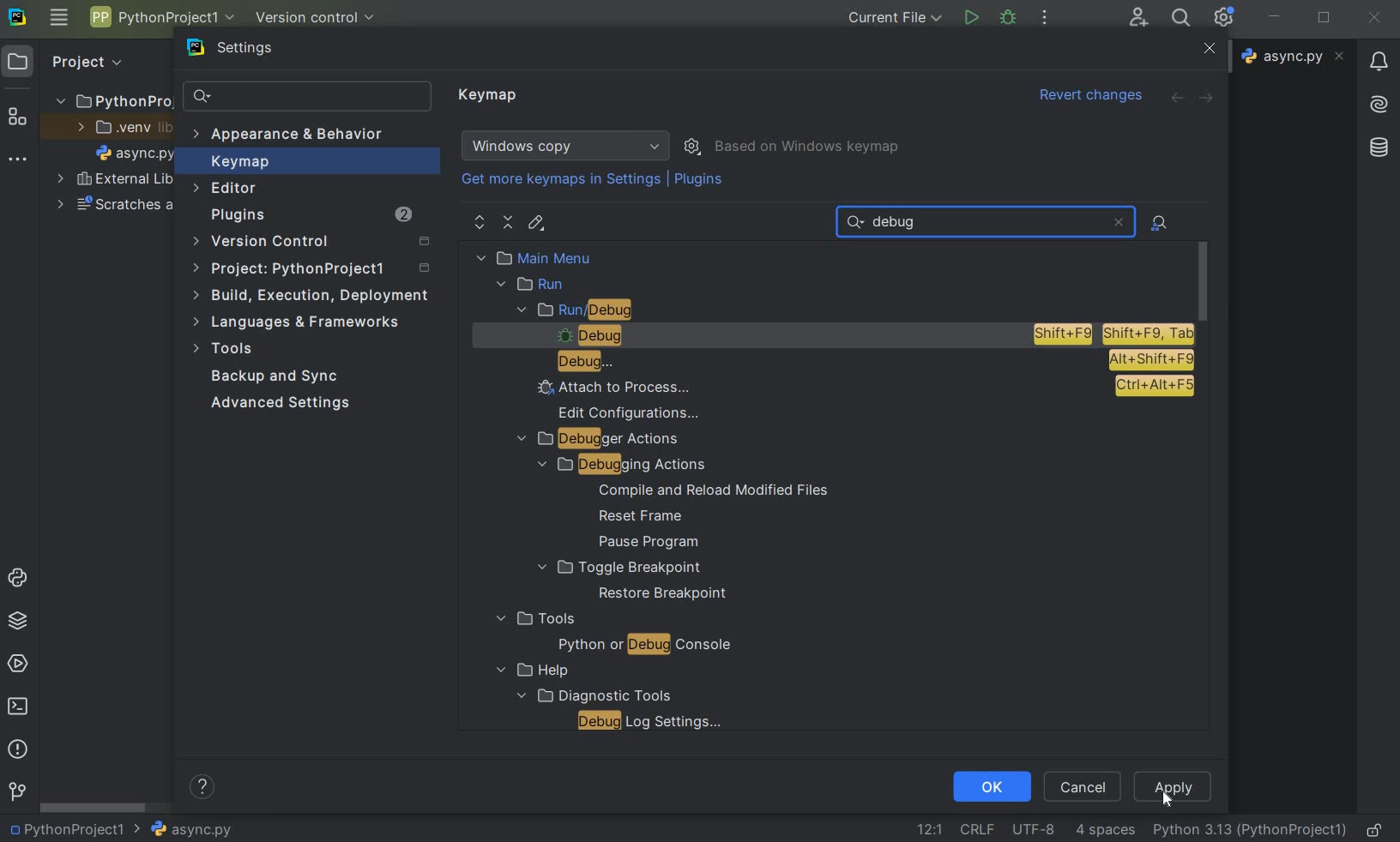 This screenshot has width=1400, height=842. Describe the element at coordinates (528, 671) in the screenshot. I see `help` at that location.